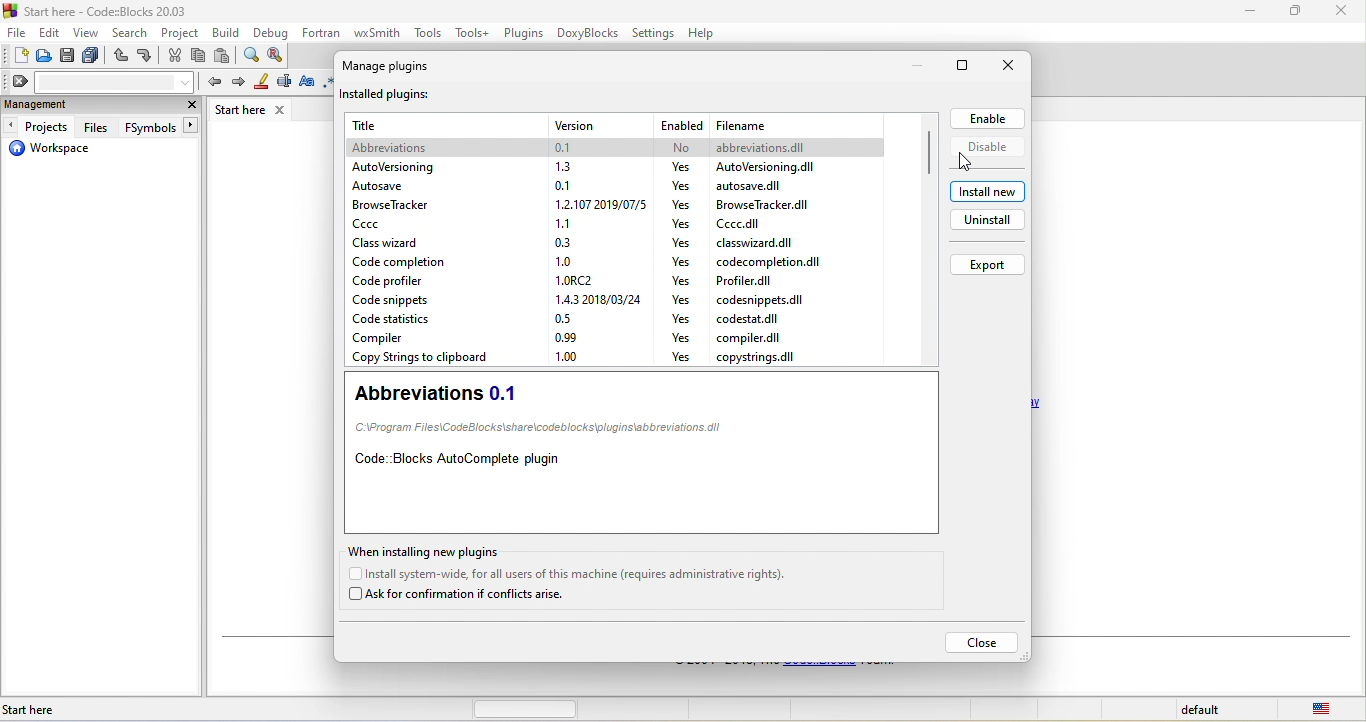 Image resolution: width=1366 pixels, height=722 pixels. Describe the element at coordinates (58, 152) in the screenshot. I see `workspace ` at that location.